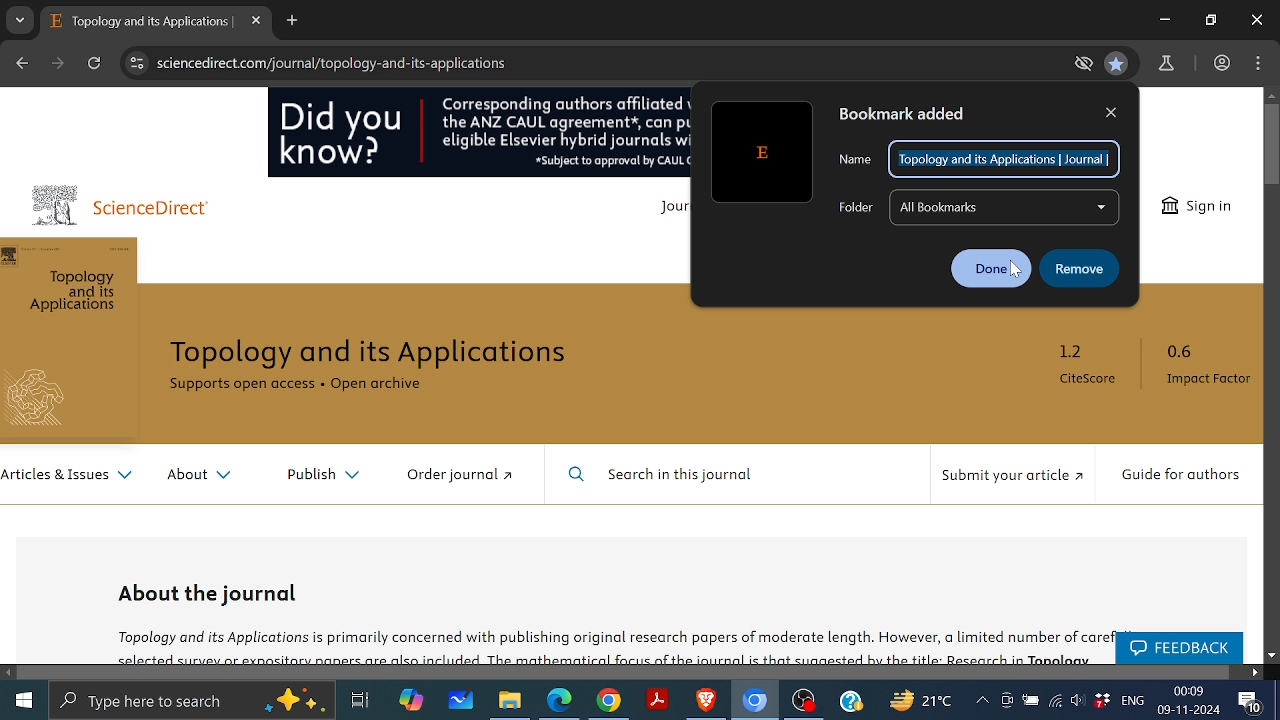  Describe the element at coordinates (1055, 700) in the screenshot. I see `Internet Access` at that location.